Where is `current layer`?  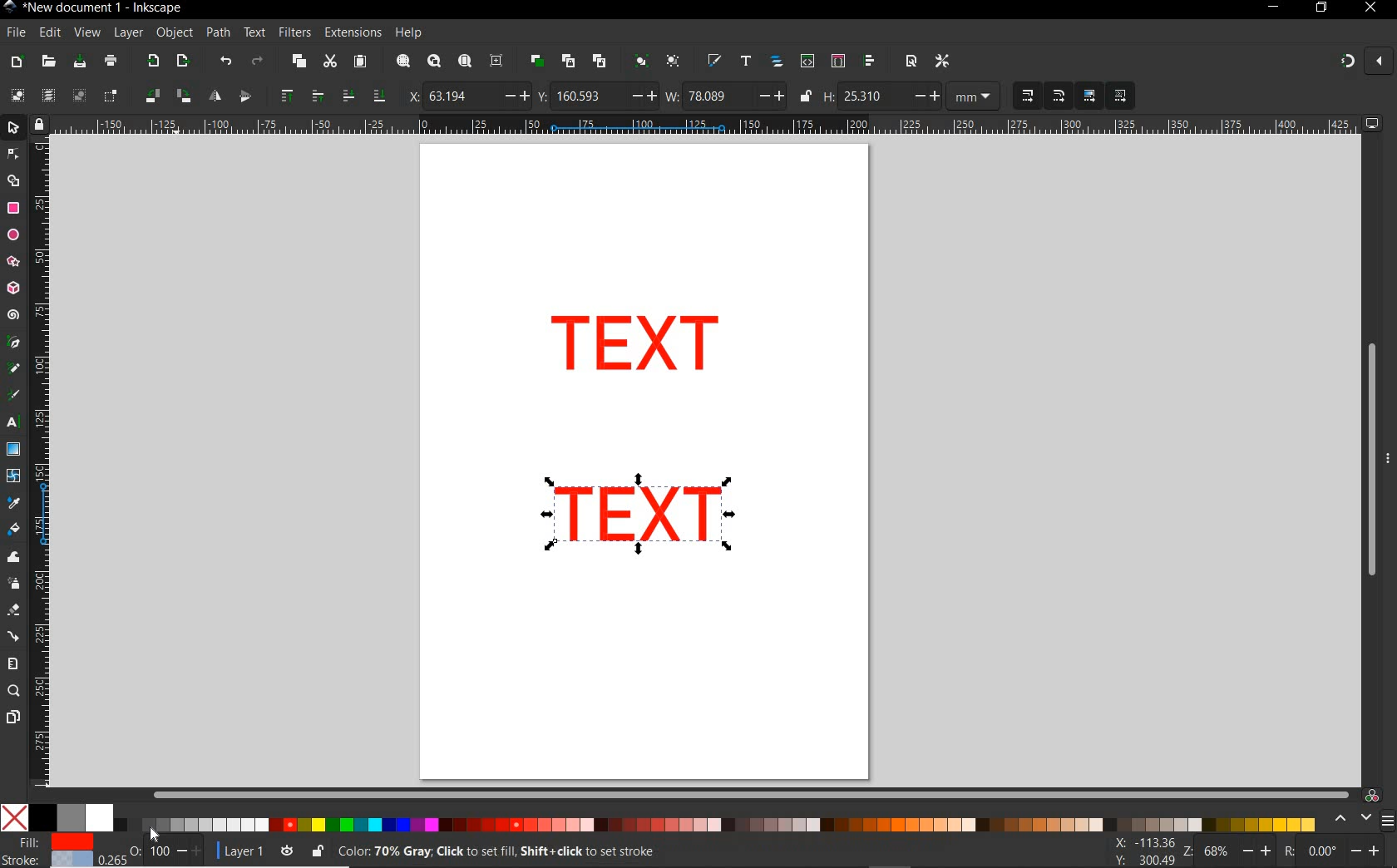
current layer is located at coordinates (236, 849).